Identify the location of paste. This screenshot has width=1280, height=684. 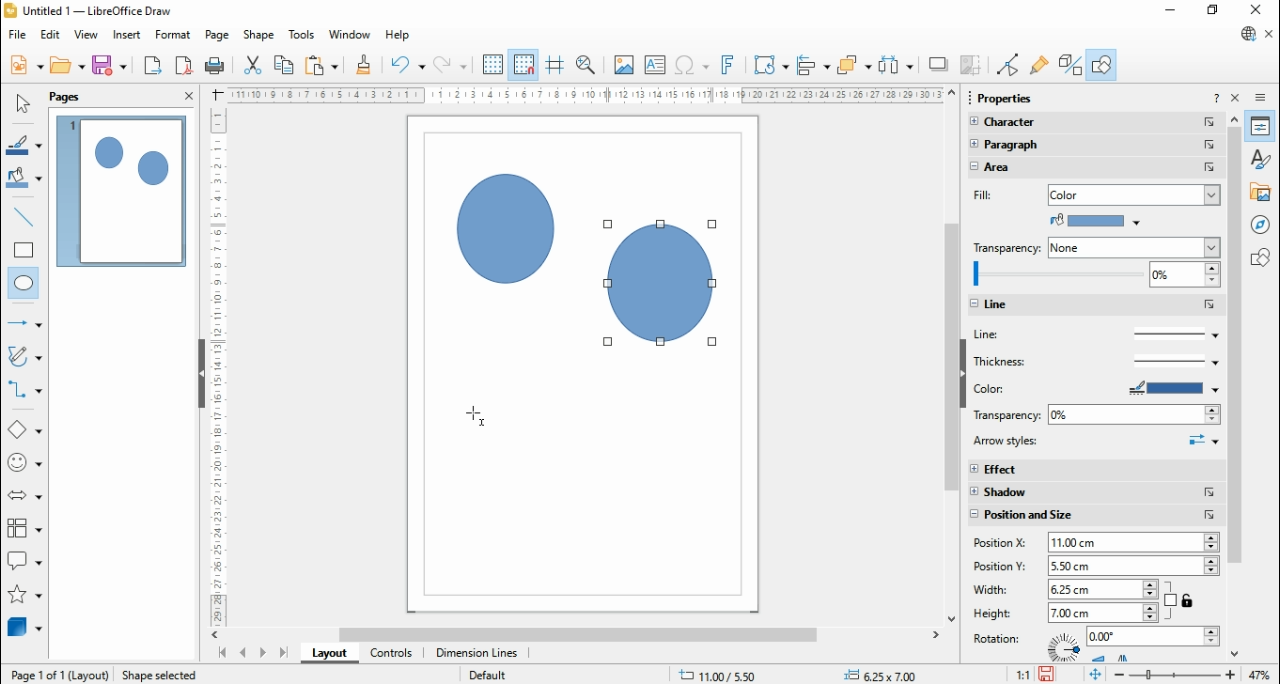
(320, 64).